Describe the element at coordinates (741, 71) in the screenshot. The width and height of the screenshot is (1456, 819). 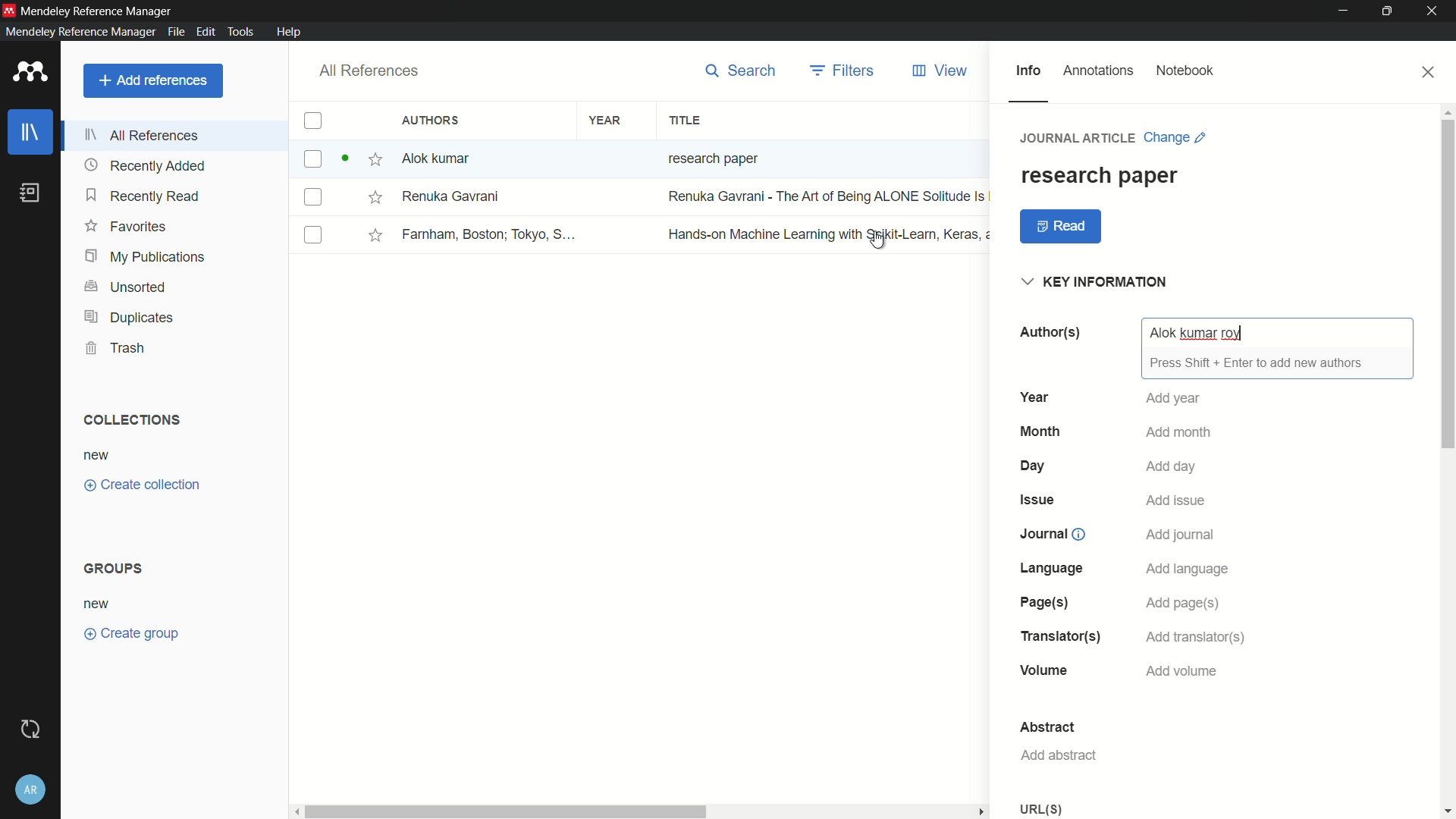
I see `search` at that location.